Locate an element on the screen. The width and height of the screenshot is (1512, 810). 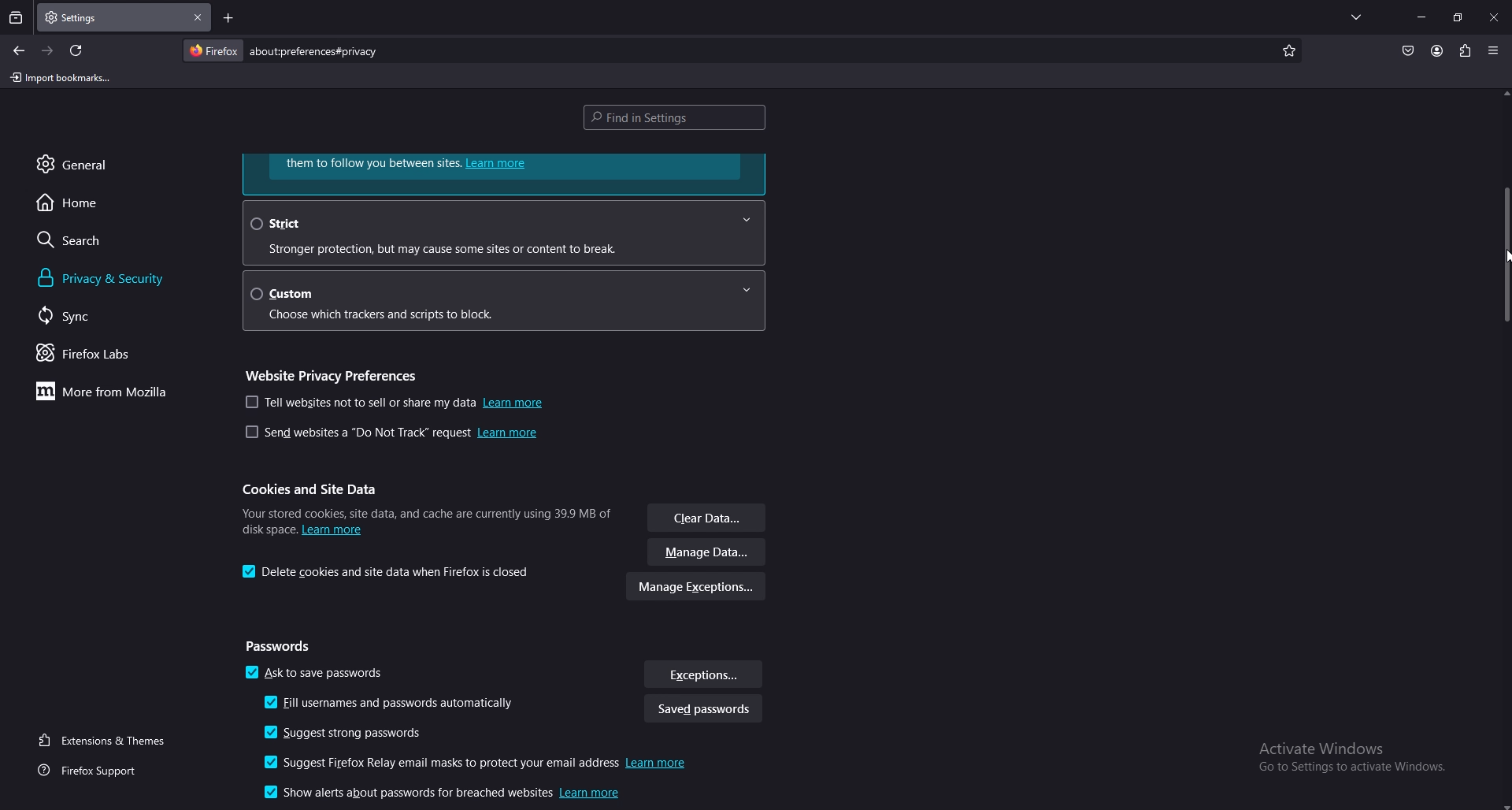
manage data is located at coordinates (708, 553).